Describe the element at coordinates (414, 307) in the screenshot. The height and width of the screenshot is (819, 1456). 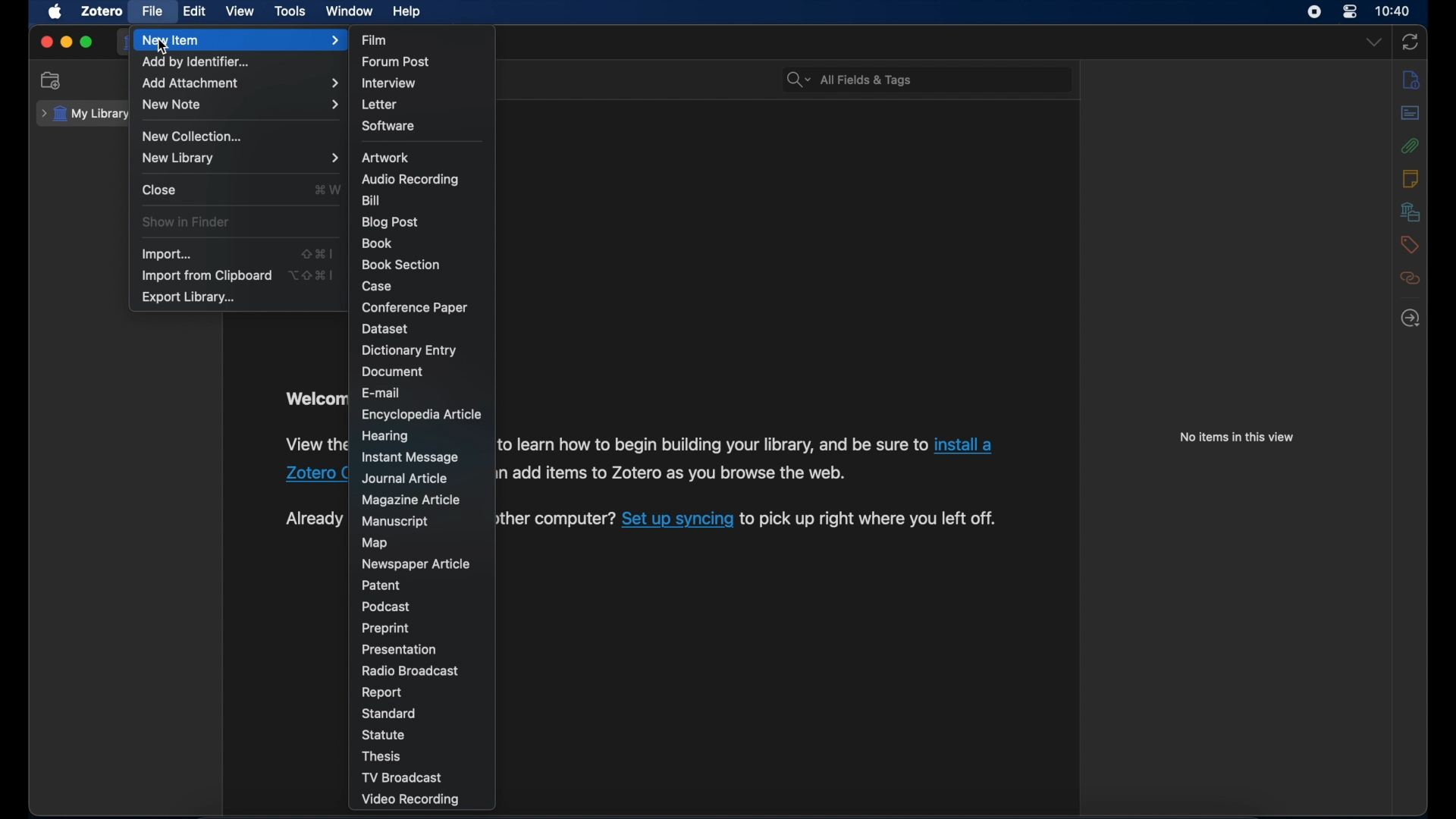
I see `conference paper` at that location.